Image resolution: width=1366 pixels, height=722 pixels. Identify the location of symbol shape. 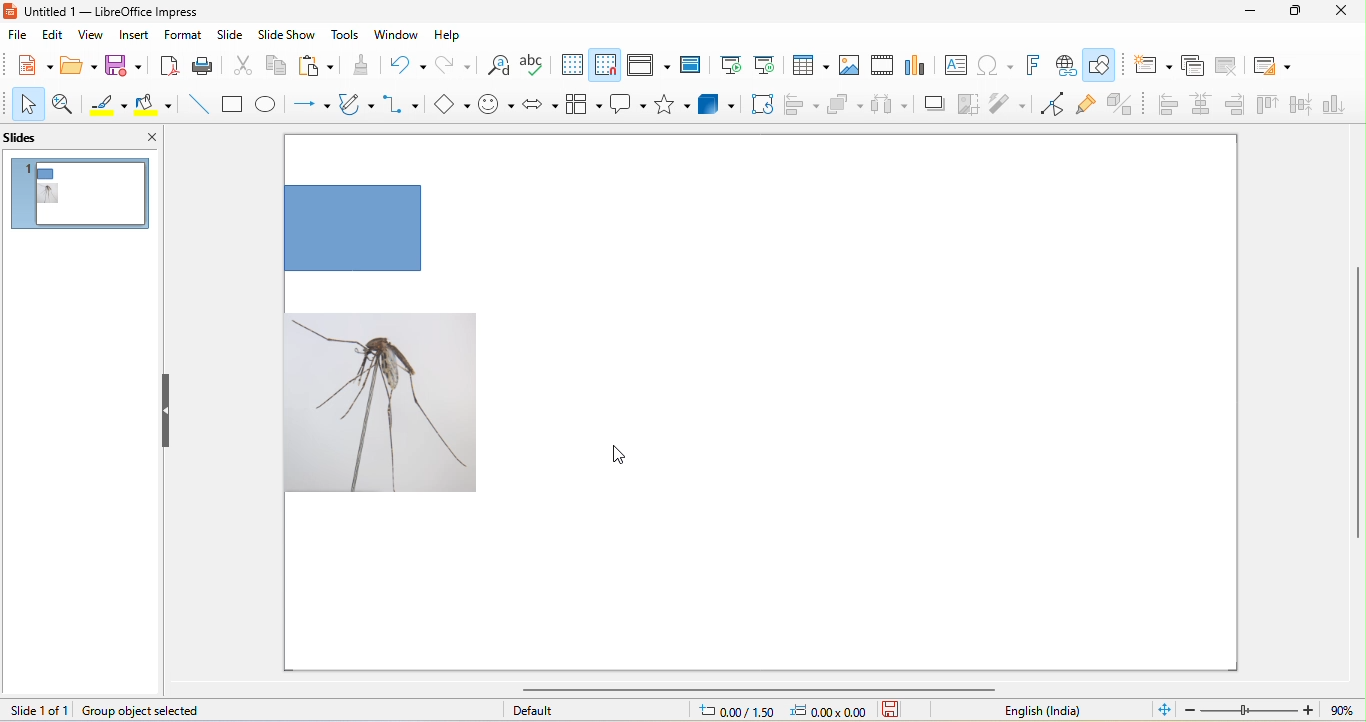
(494, 106).